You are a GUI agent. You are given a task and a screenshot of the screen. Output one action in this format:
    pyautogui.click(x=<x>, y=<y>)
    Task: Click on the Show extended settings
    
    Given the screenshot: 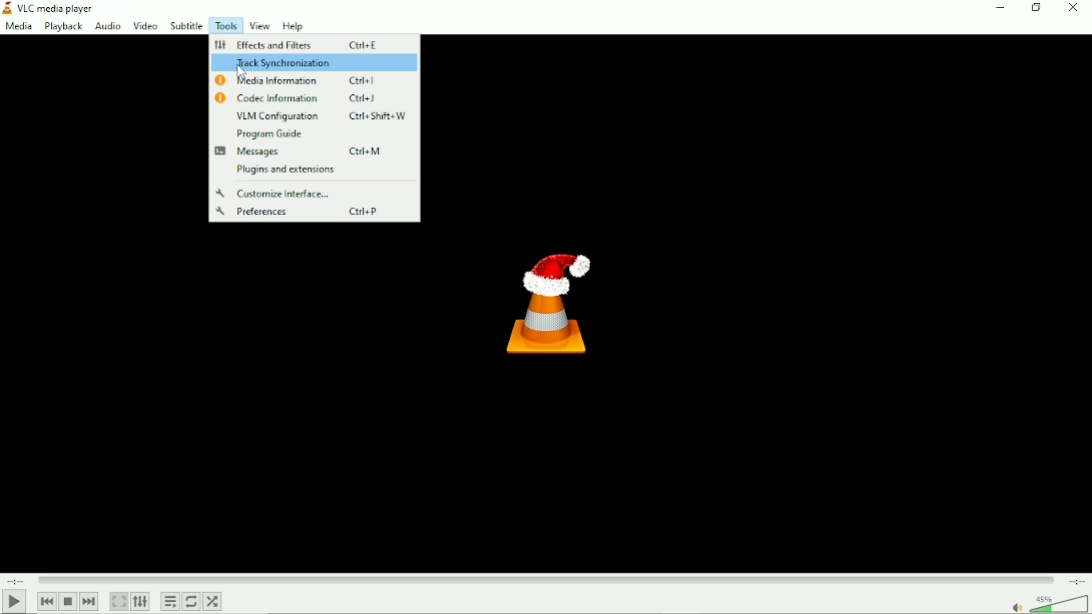 What is the action you would take?
    pyautogui.click(x=141, y=602)
    